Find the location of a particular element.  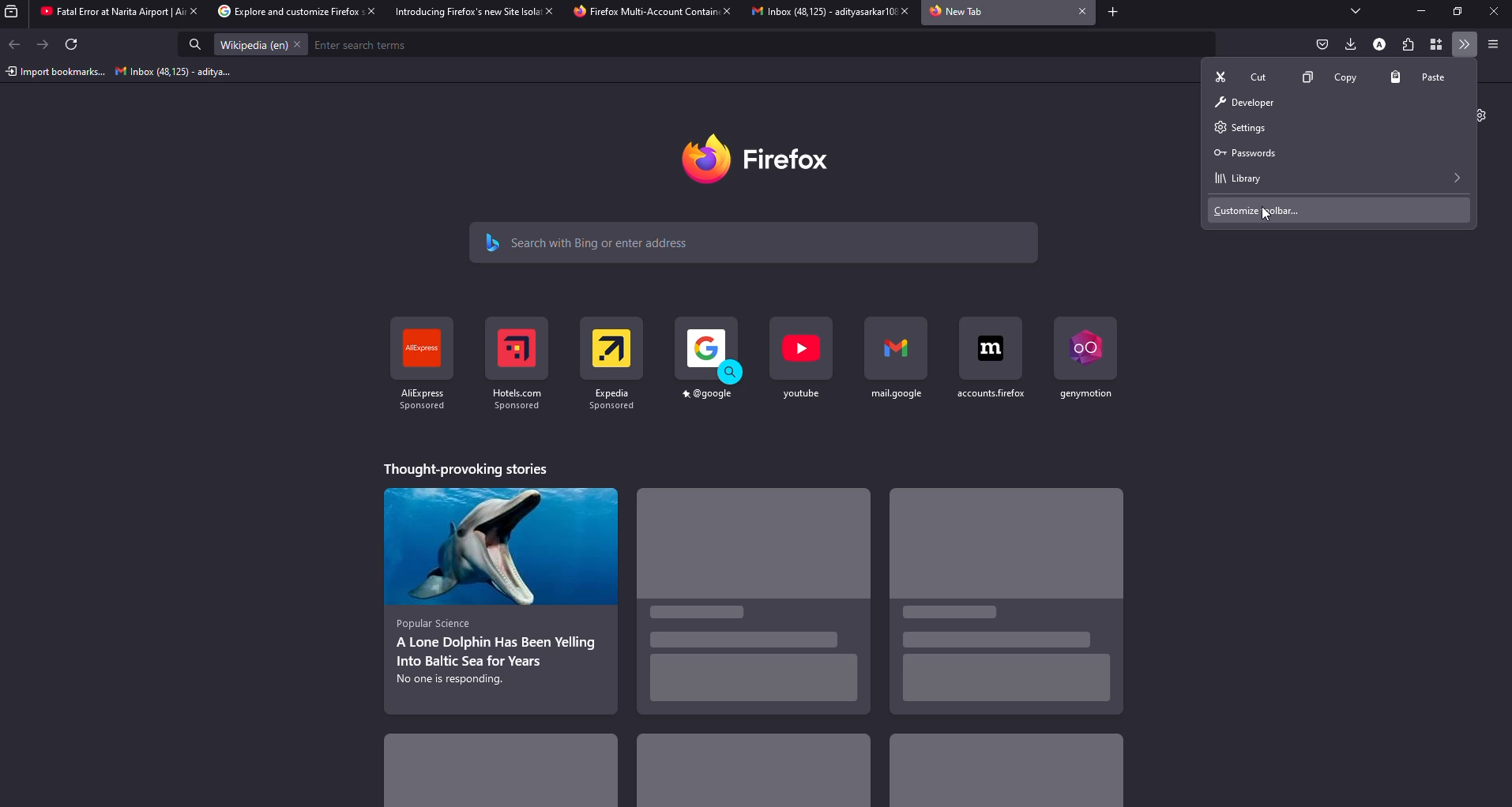

close is located at coordinates (299, 44).